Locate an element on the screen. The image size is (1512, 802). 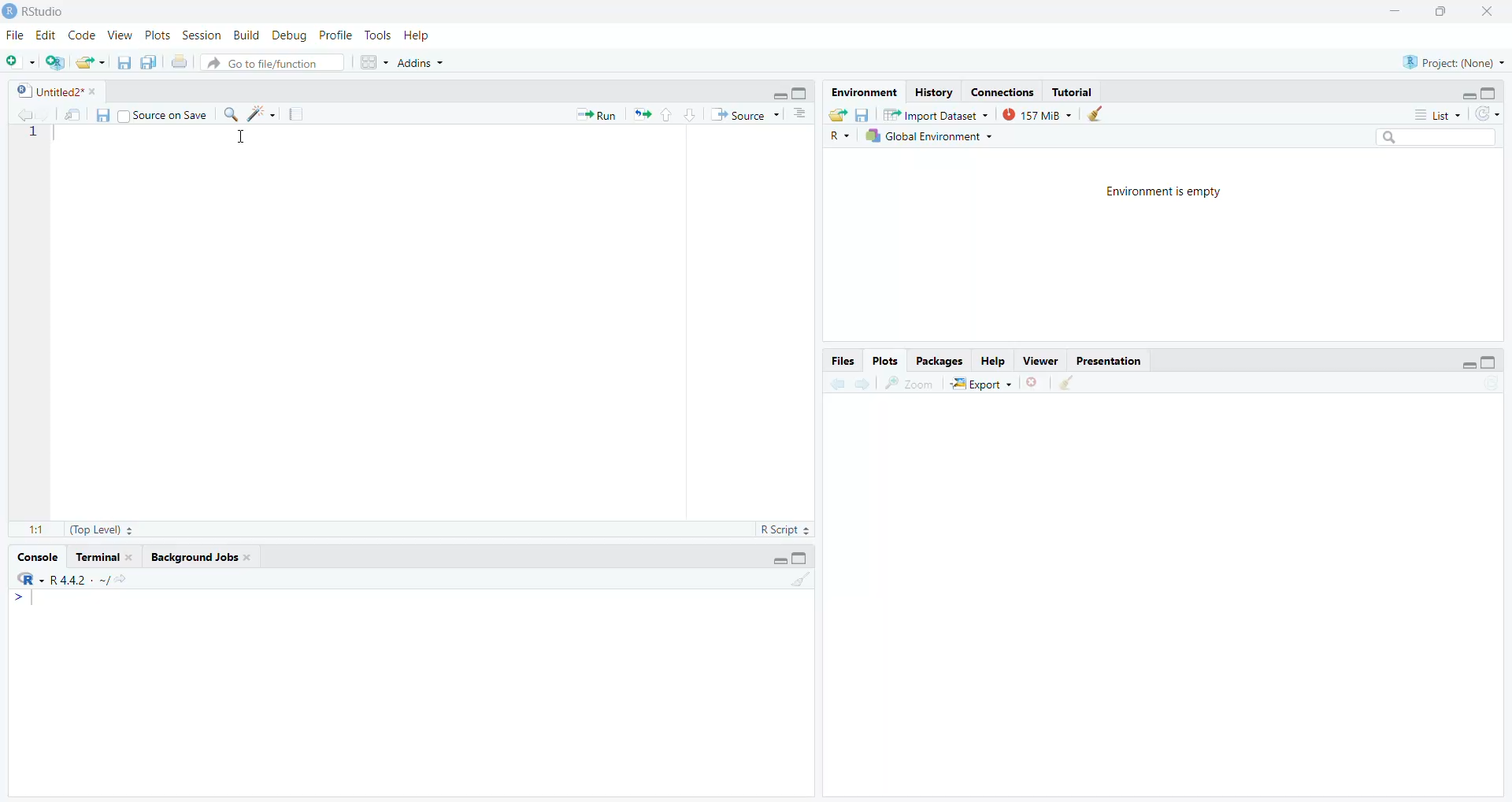
minimize is located at coordinates (1393, 13).